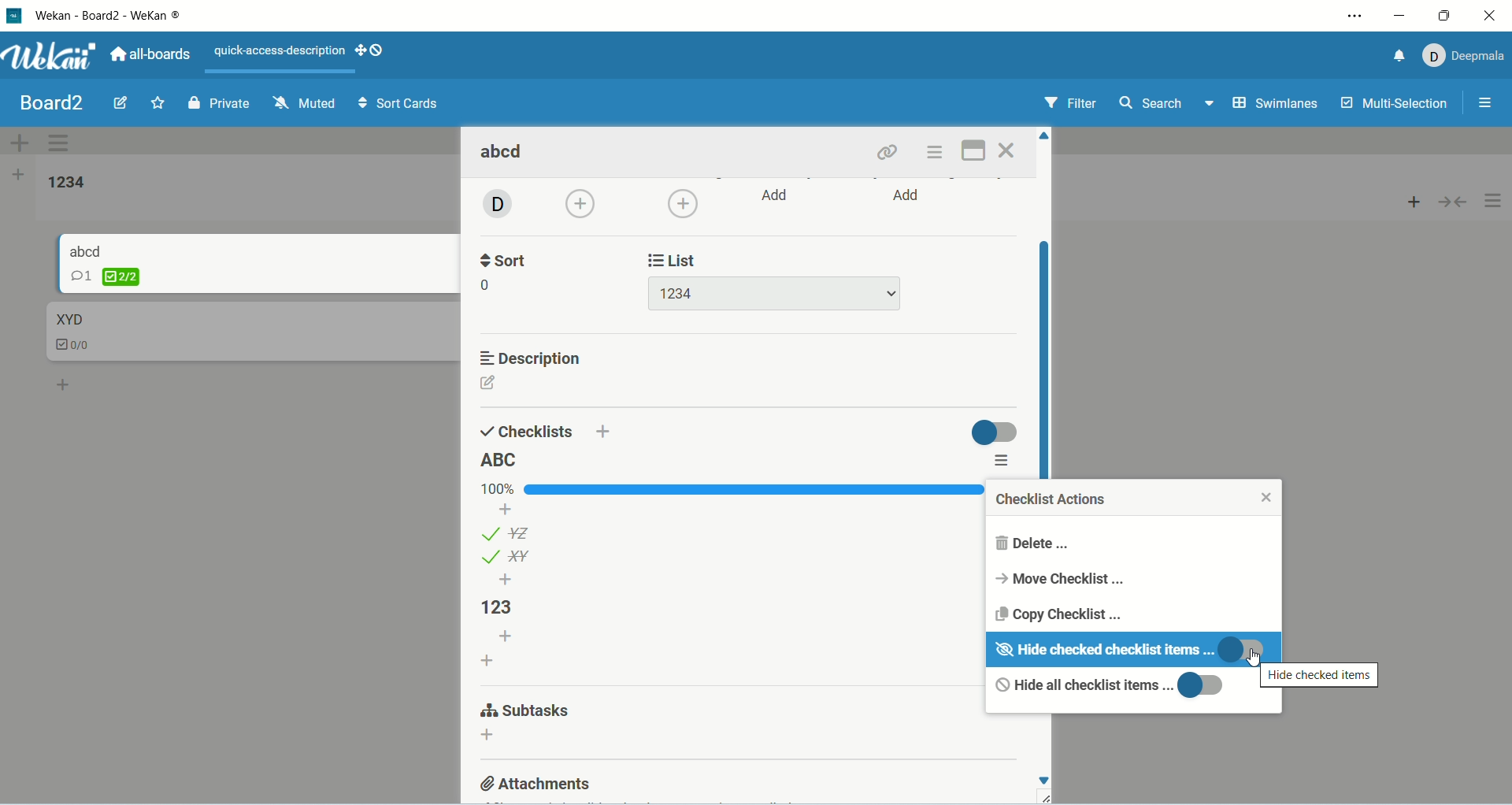 This screenshot has height=805, width=1512. Describe the element at coordinates (69, 318) in the screenshot. I see `card title` at that location.